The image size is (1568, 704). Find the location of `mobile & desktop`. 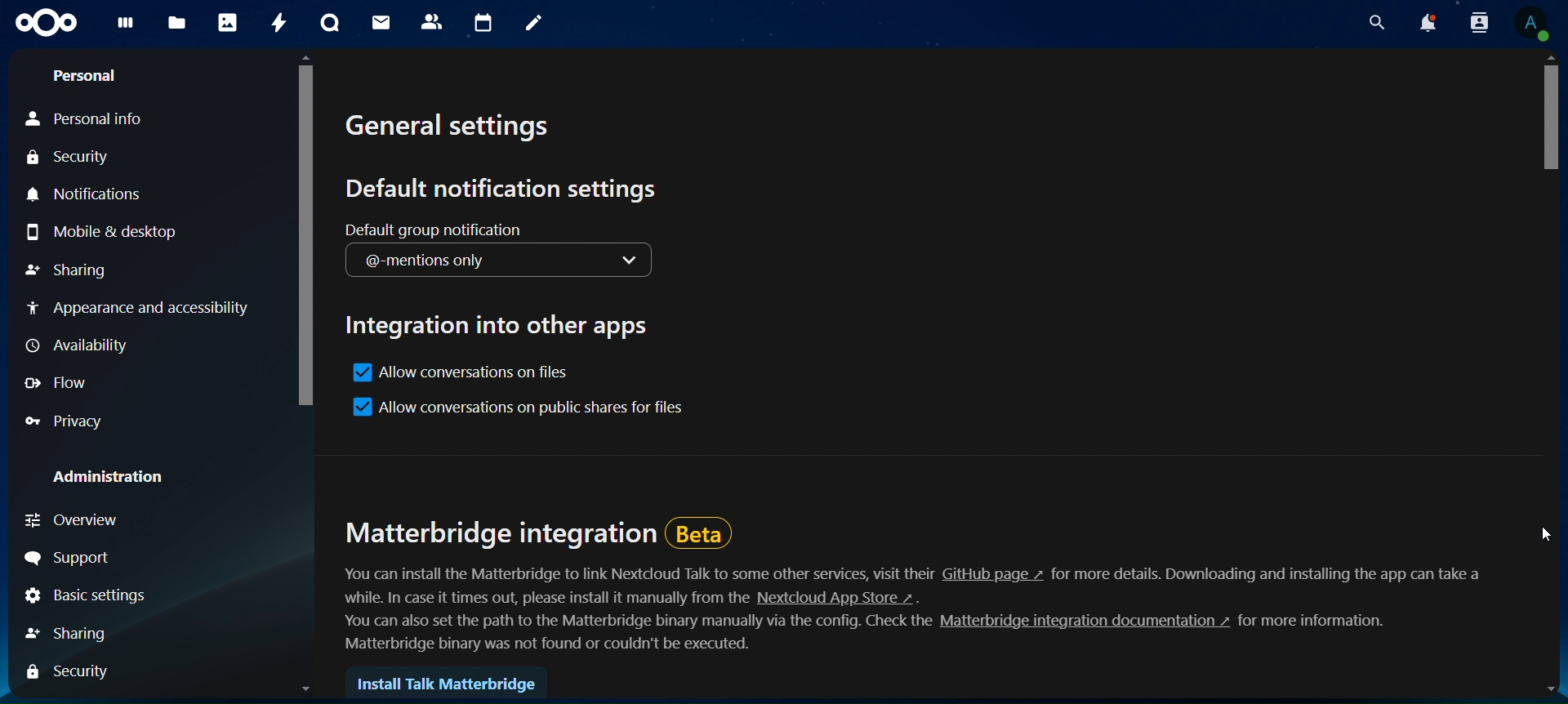

mobile & desktop is located at coordinates (102, 237).